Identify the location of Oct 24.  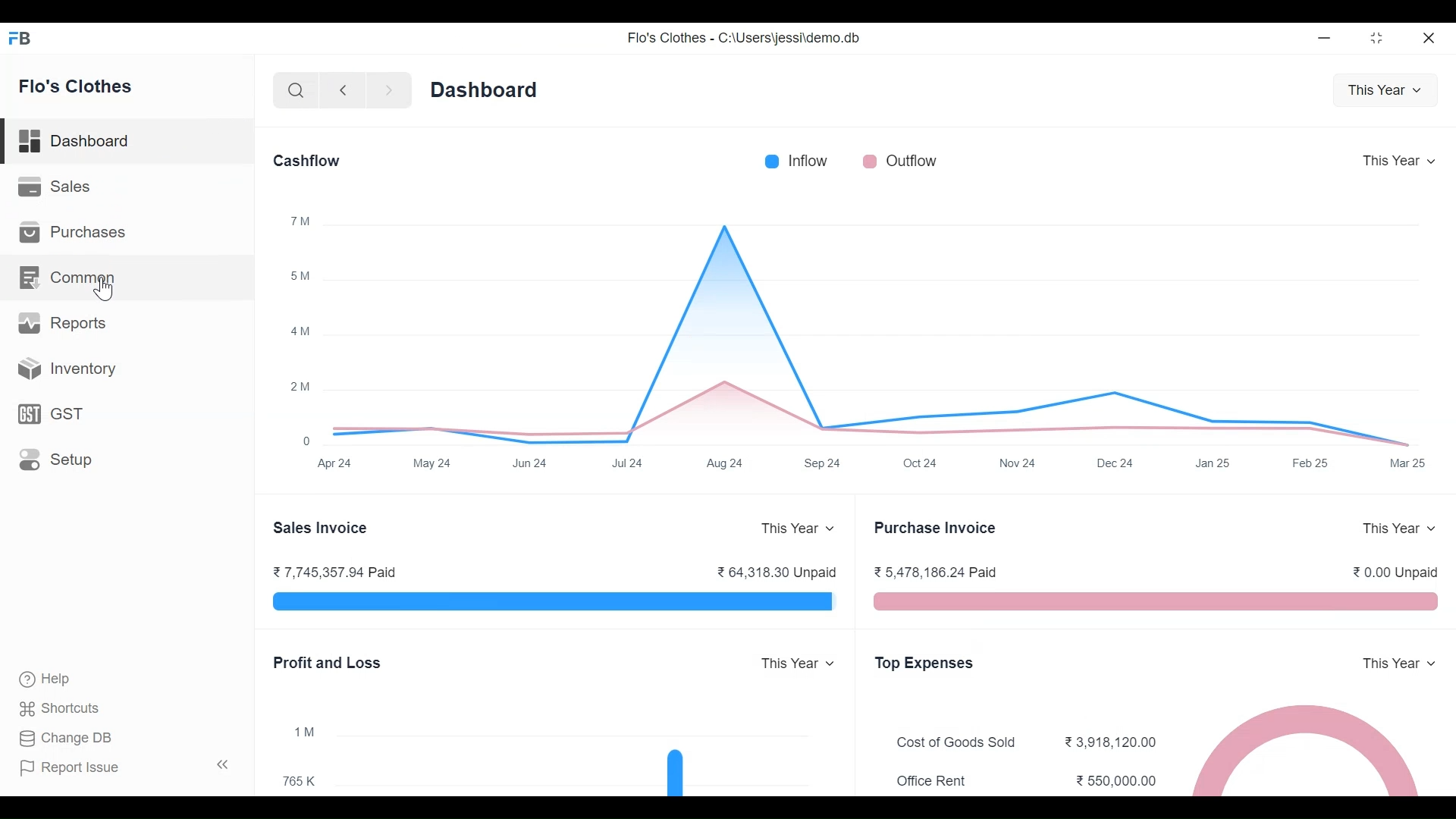
(921, 463).